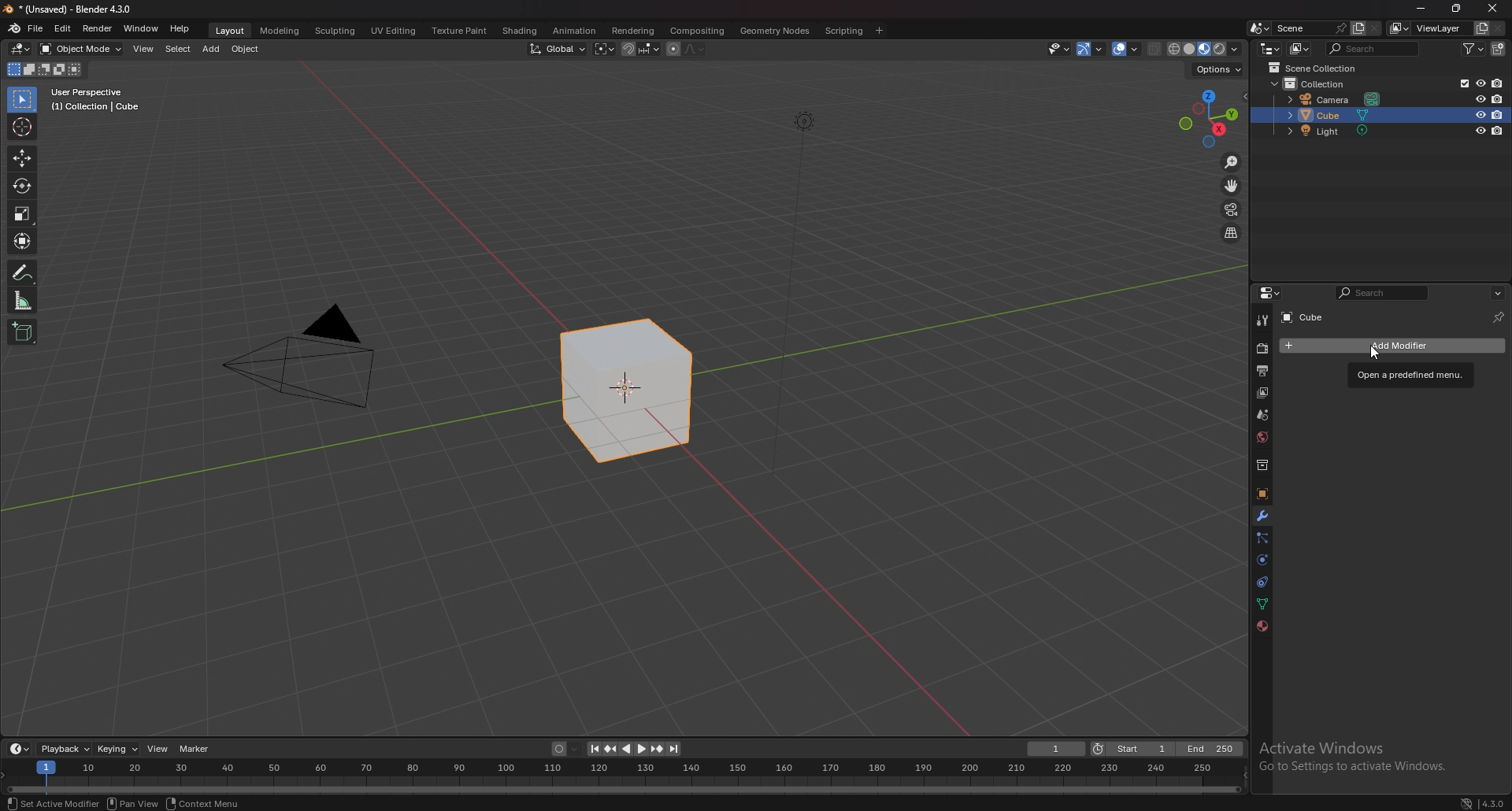 Image resolution: width=1512 pixels, height=811 pixels. Describe the element at coordinates (20, 749) in the screenshot. I see `editor type` at that location.